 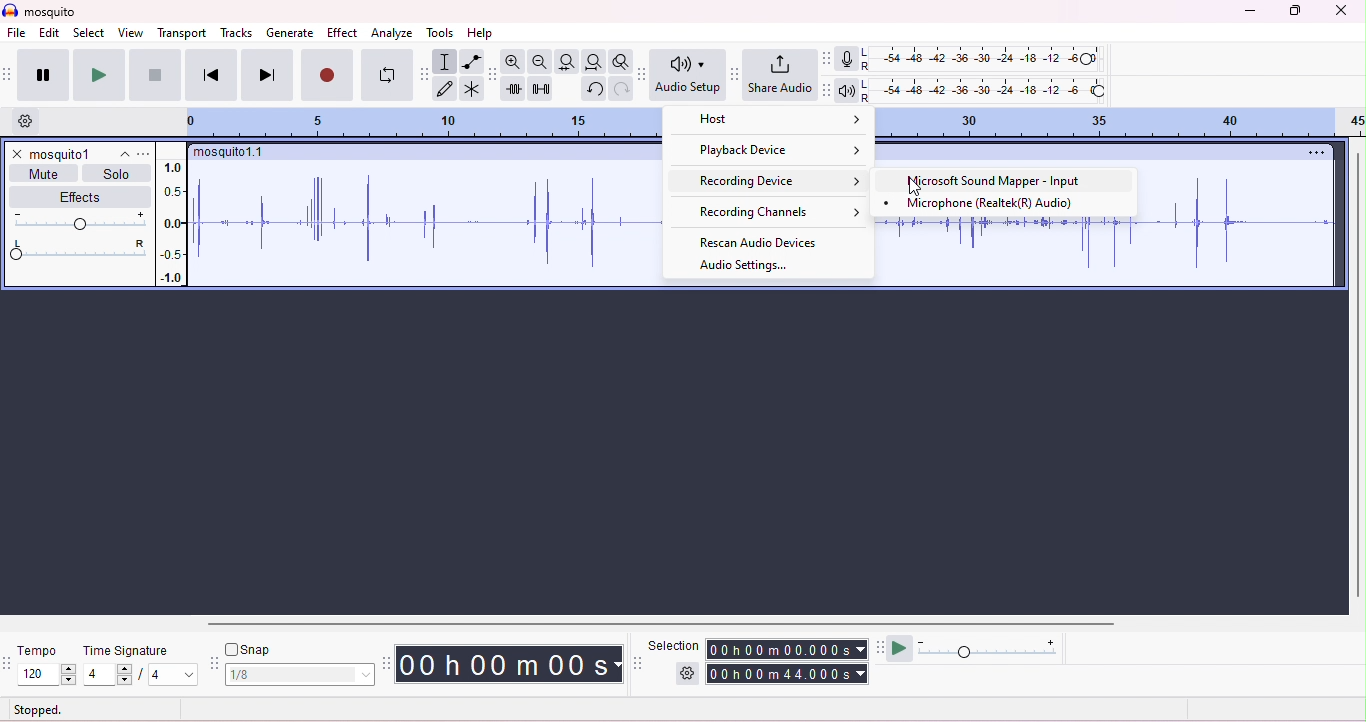 What do you see at coordinates (688, 672) in the screenshot?
I see `selection options` at bounding box center [688, 672].